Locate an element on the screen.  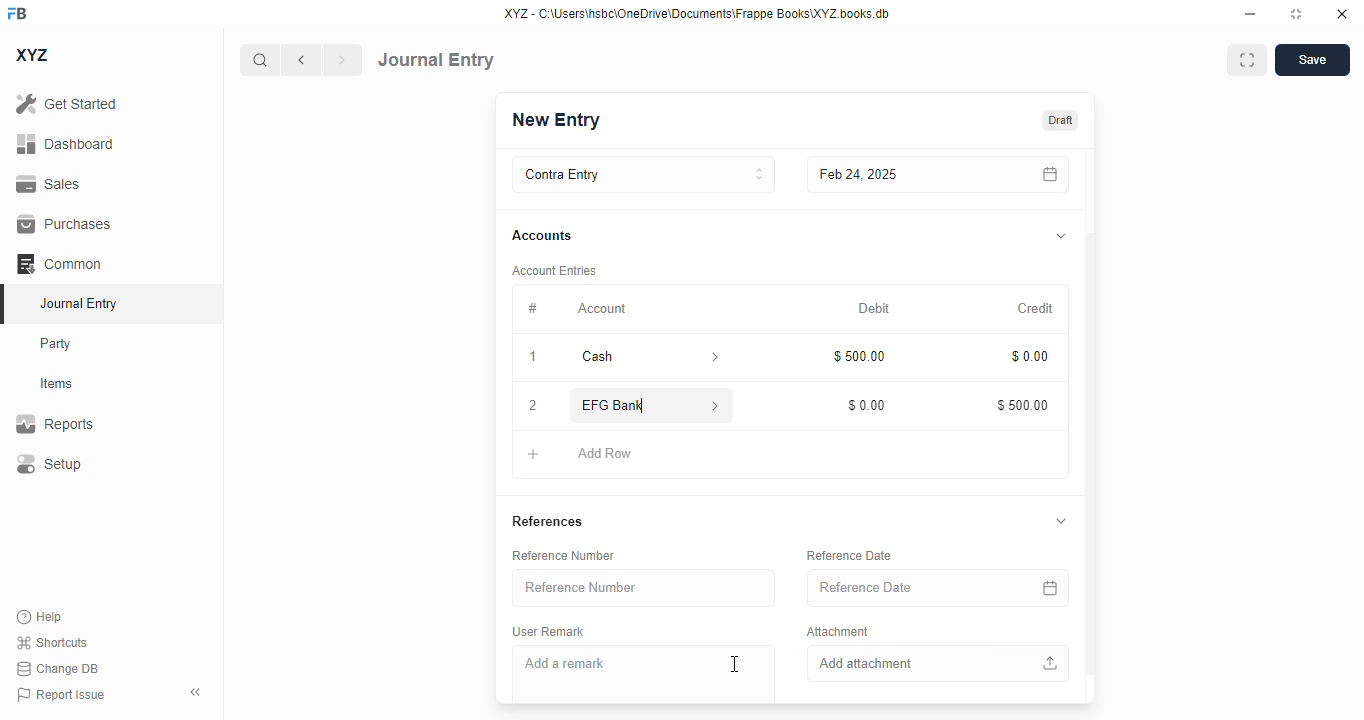
account information is located at coordinates (714, 405).